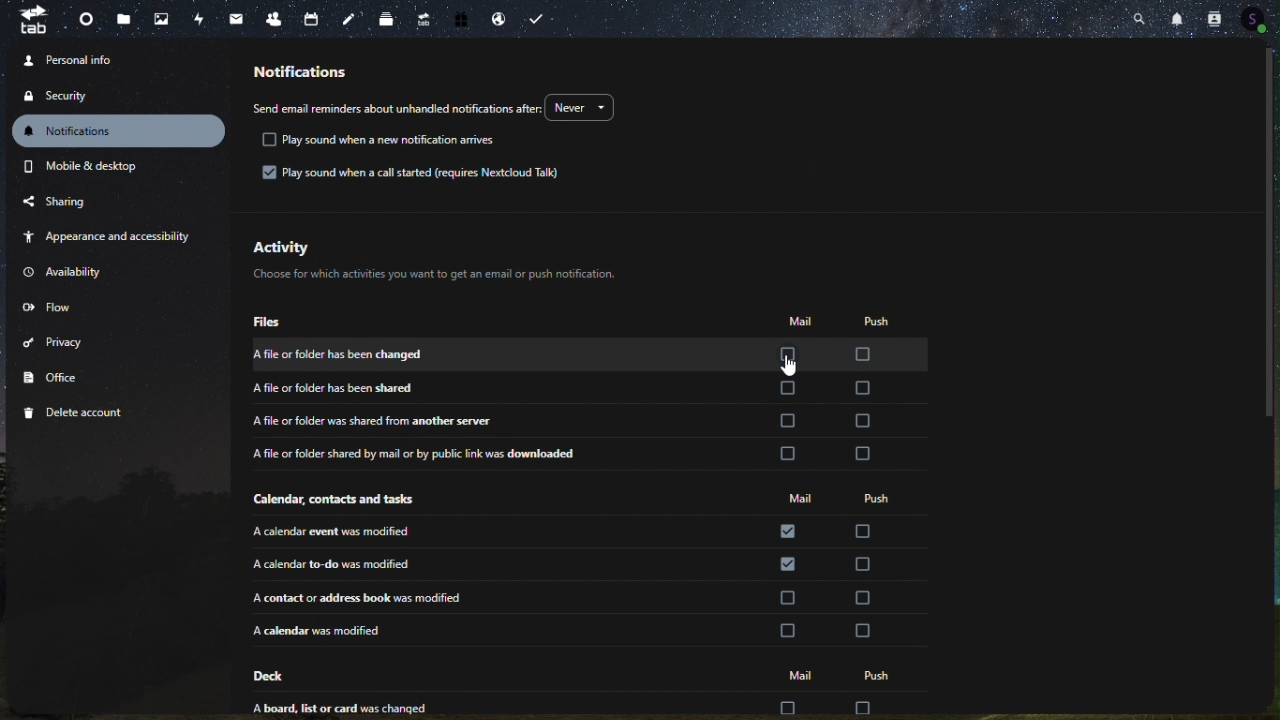 This screenshot has width=1280, height=720. Describe the element at coordinates (337, 389) in the screenshot. I see `a file or folder has been shared` at that location.